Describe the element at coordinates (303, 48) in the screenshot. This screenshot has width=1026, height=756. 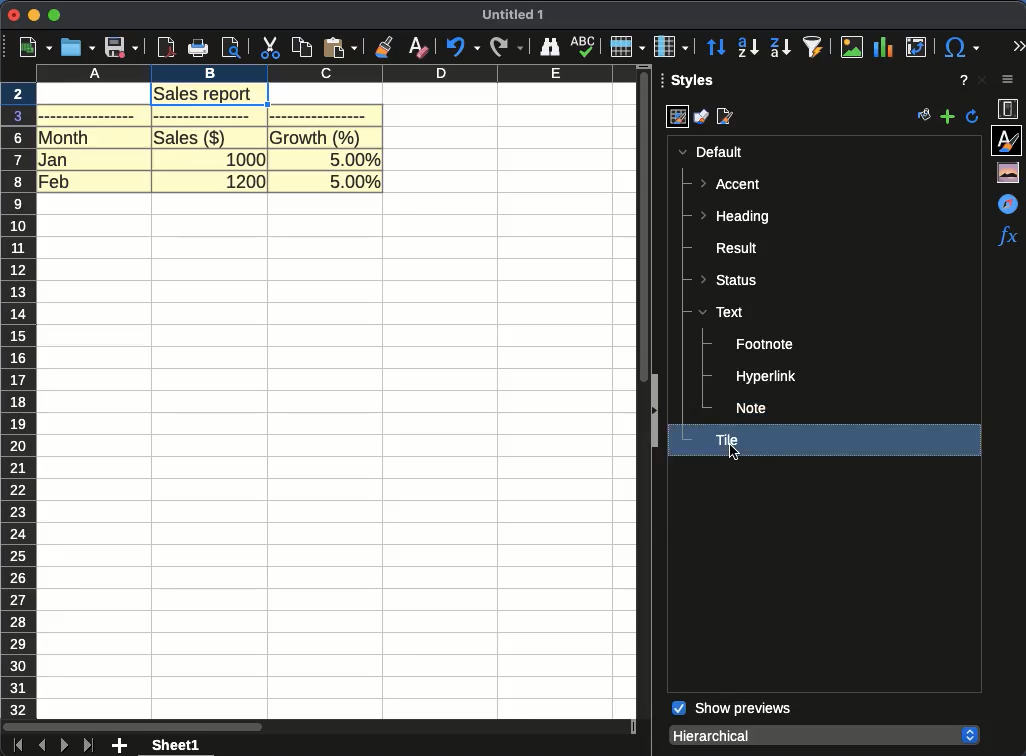
I see `copy` at that location.